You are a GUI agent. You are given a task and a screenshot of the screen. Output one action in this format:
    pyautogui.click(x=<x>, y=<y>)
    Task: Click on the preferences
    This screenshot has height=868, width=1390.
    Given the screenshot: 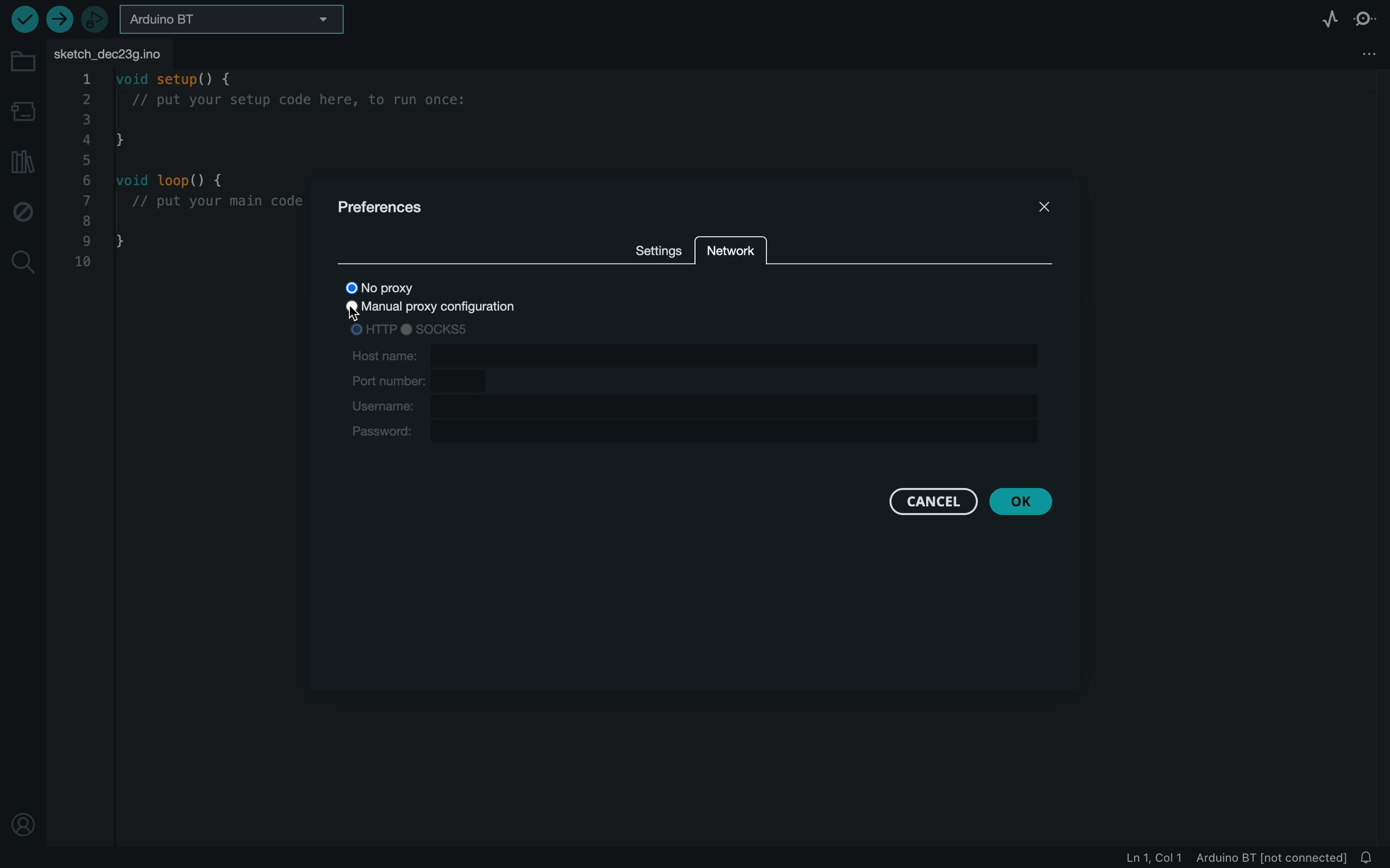 What is the action you would take?
    pyautogui.click(x=395, y=207)
    